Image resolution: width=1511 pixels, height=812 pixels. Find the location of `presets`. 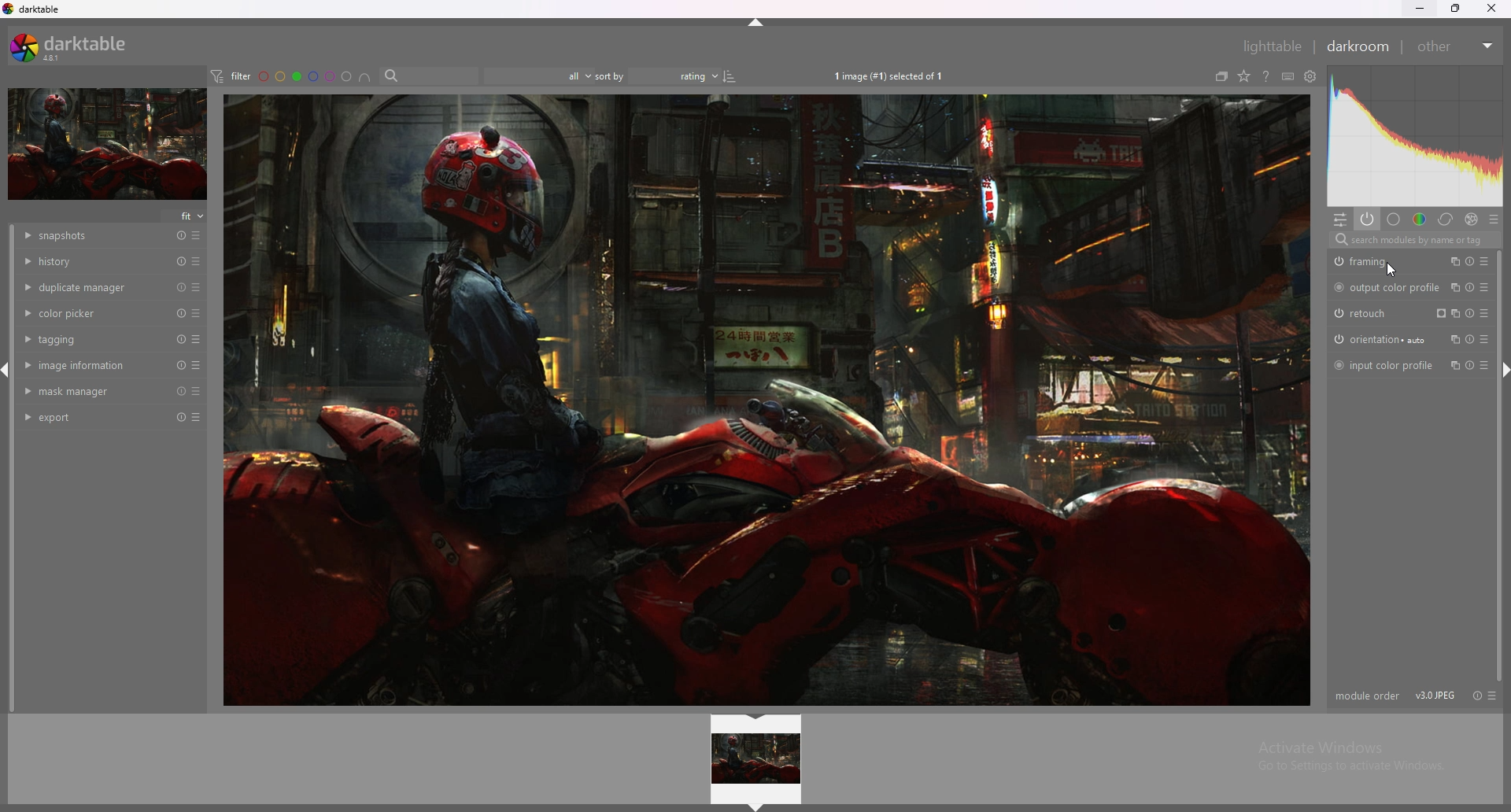

presets is located at coordinates (1492, 217).